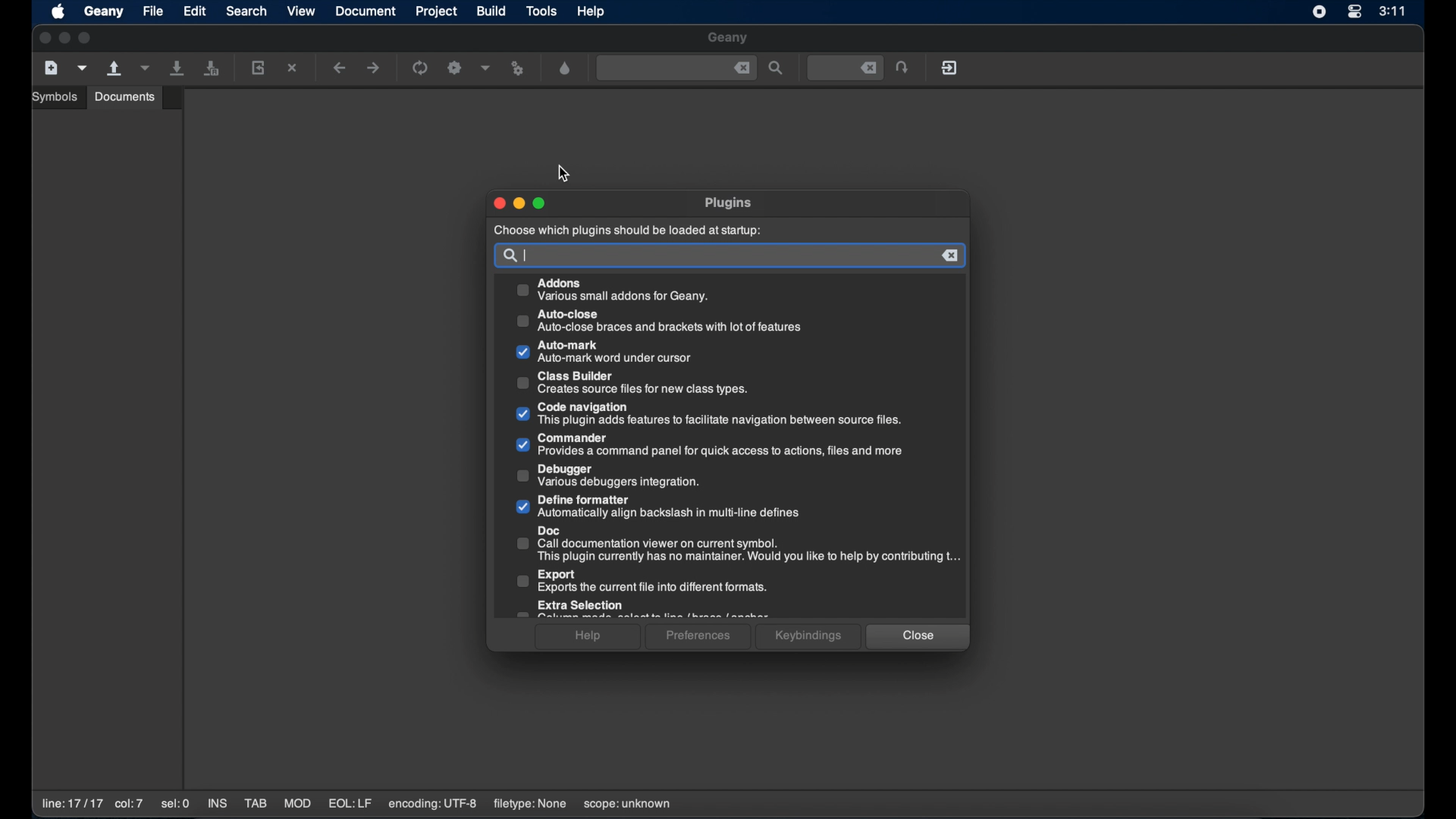 The height and width of the screenshot is (819, 1456). I want to click on symbols, so click(57, 97).